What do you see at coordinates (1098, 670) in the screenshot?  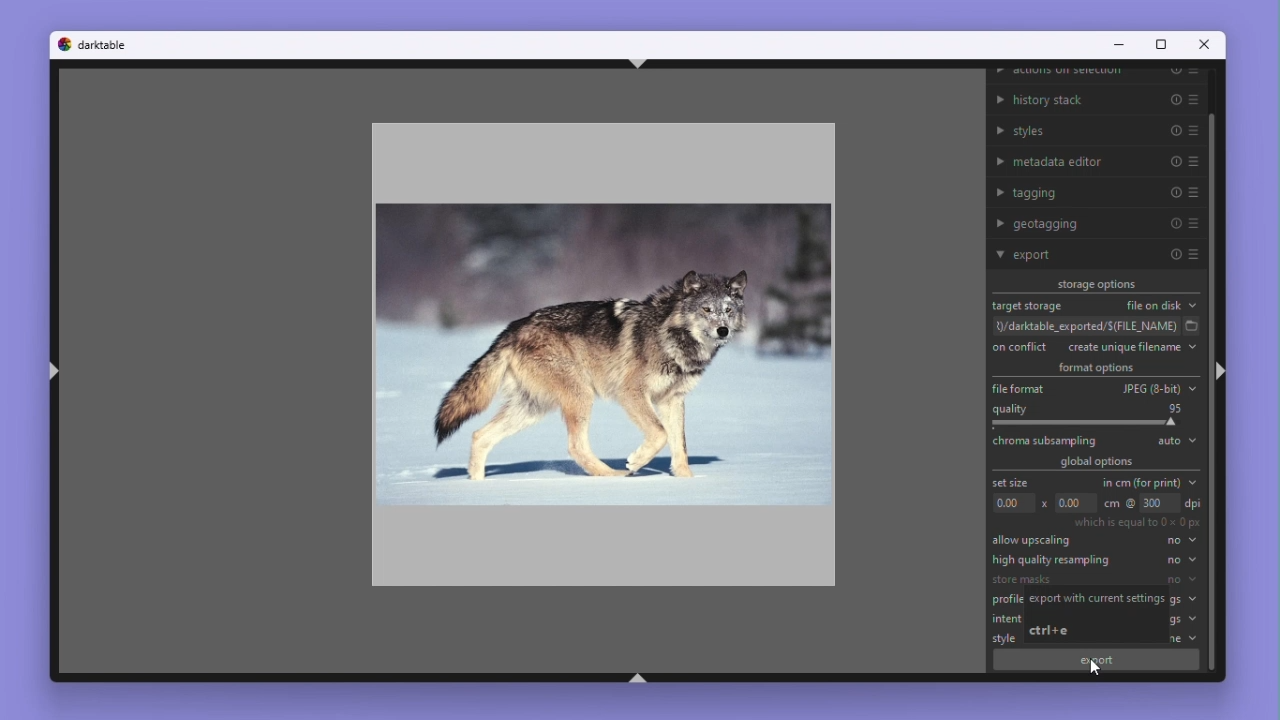 I see `mouse pointer` at bounding box center [1098, 670].